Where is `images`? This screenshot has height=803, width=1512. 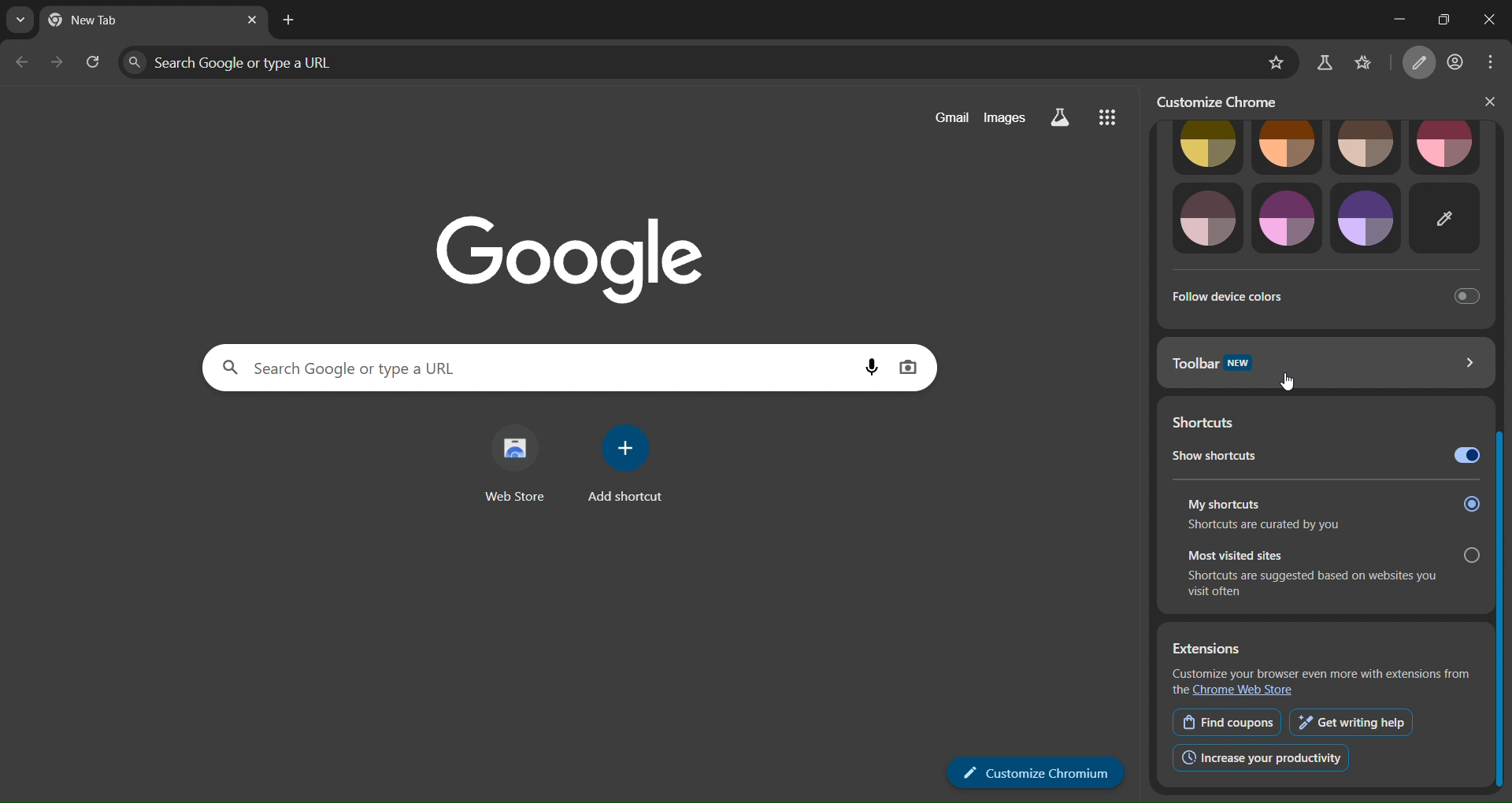
images is located at coordinates (1008, 117).